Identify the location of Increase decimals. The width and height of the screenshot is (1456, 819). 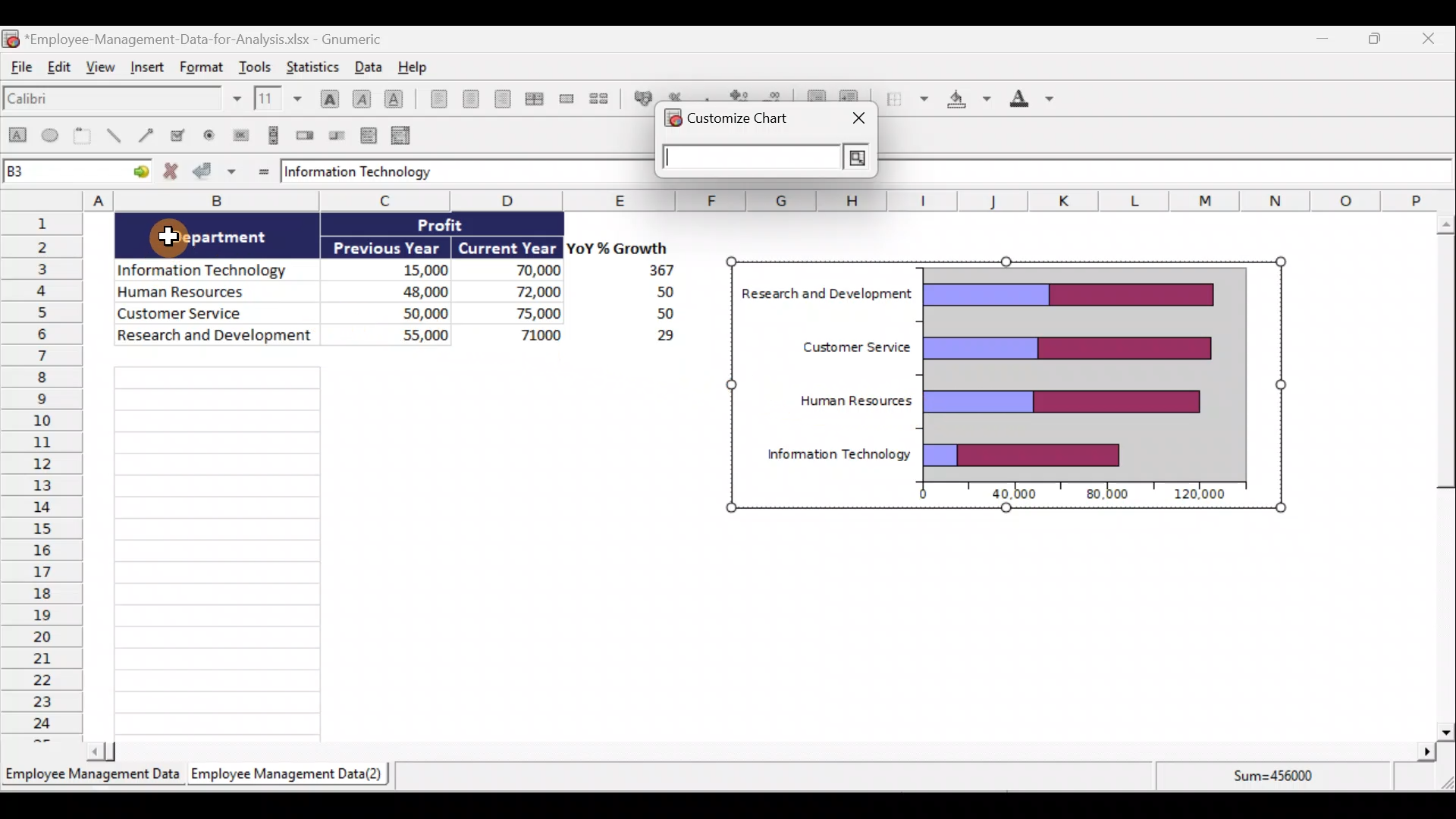
(740, 96).